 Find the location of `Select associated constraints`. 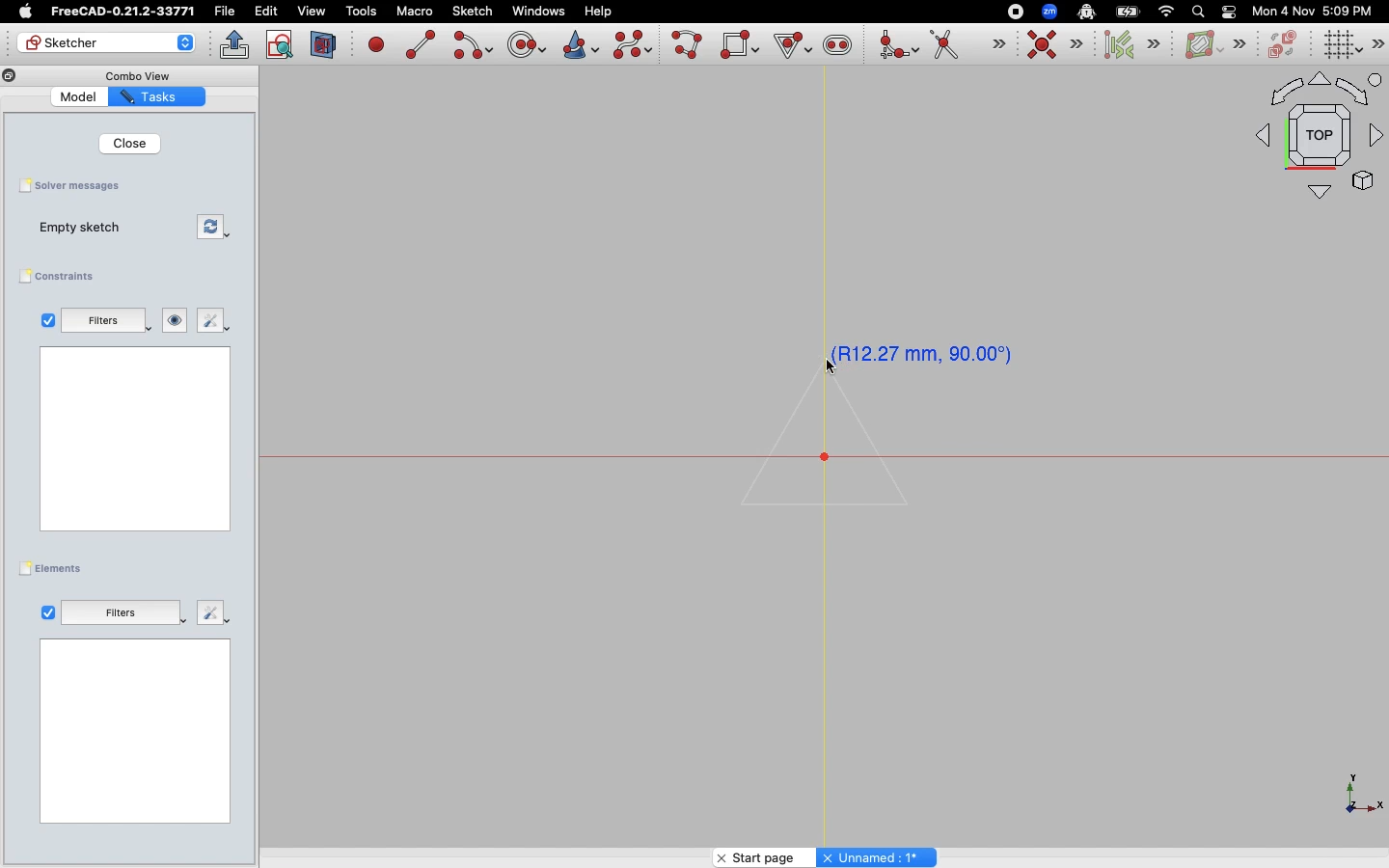

Select associated constraints is located at coordinates (1129, 44).